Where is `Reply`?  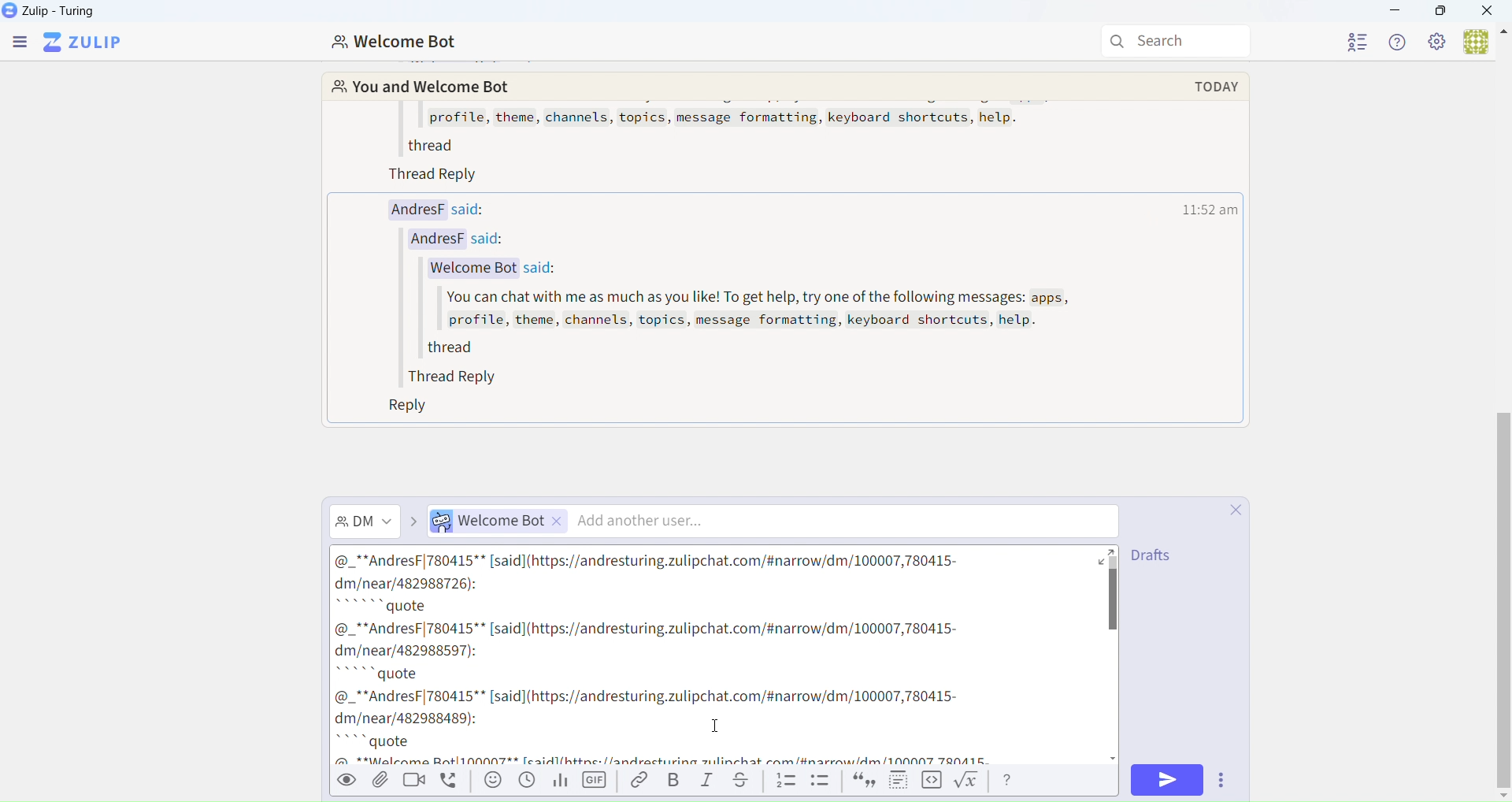
Reply is located at coordinates (397, 407).